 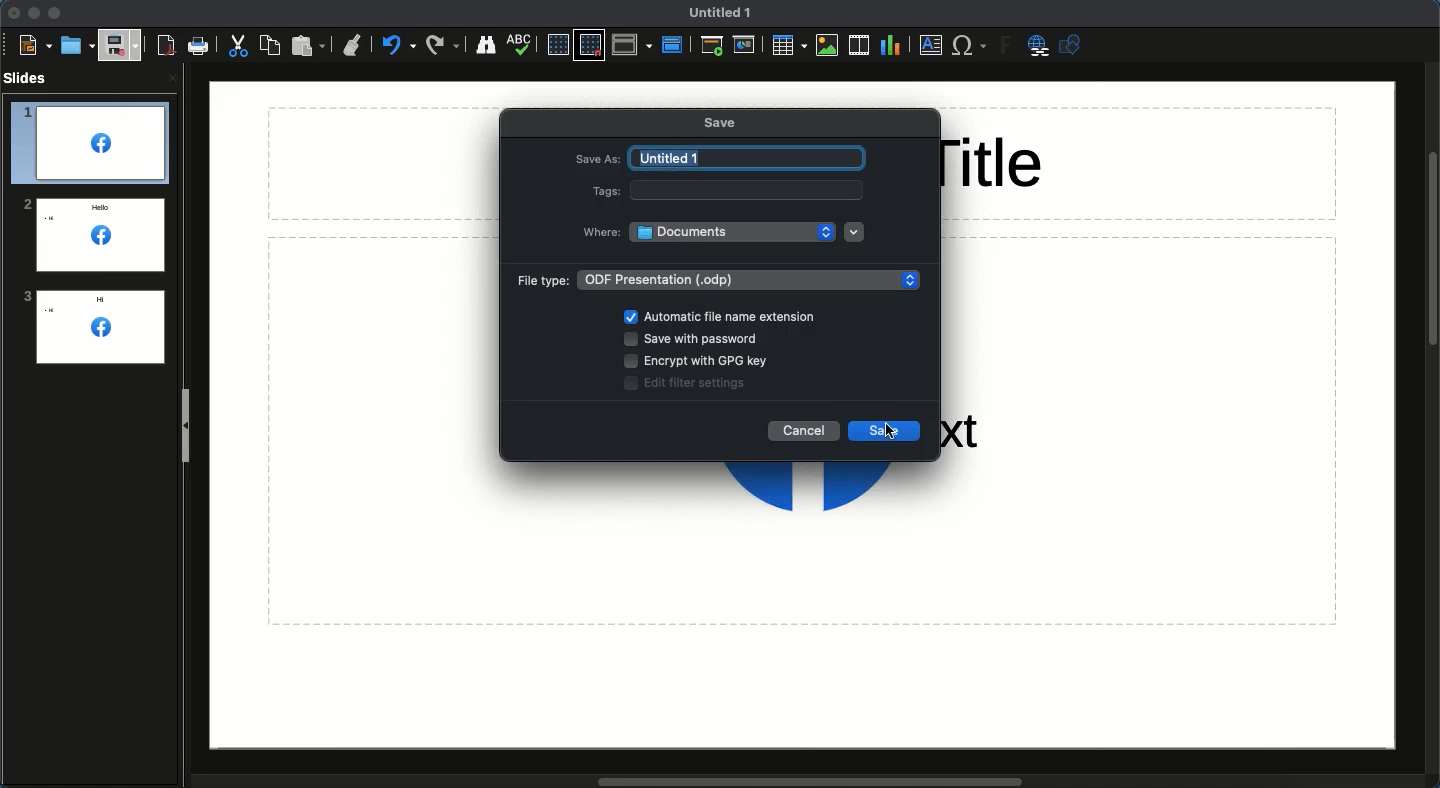 I want to click on Snap to grid, so click(x=589, y=45).